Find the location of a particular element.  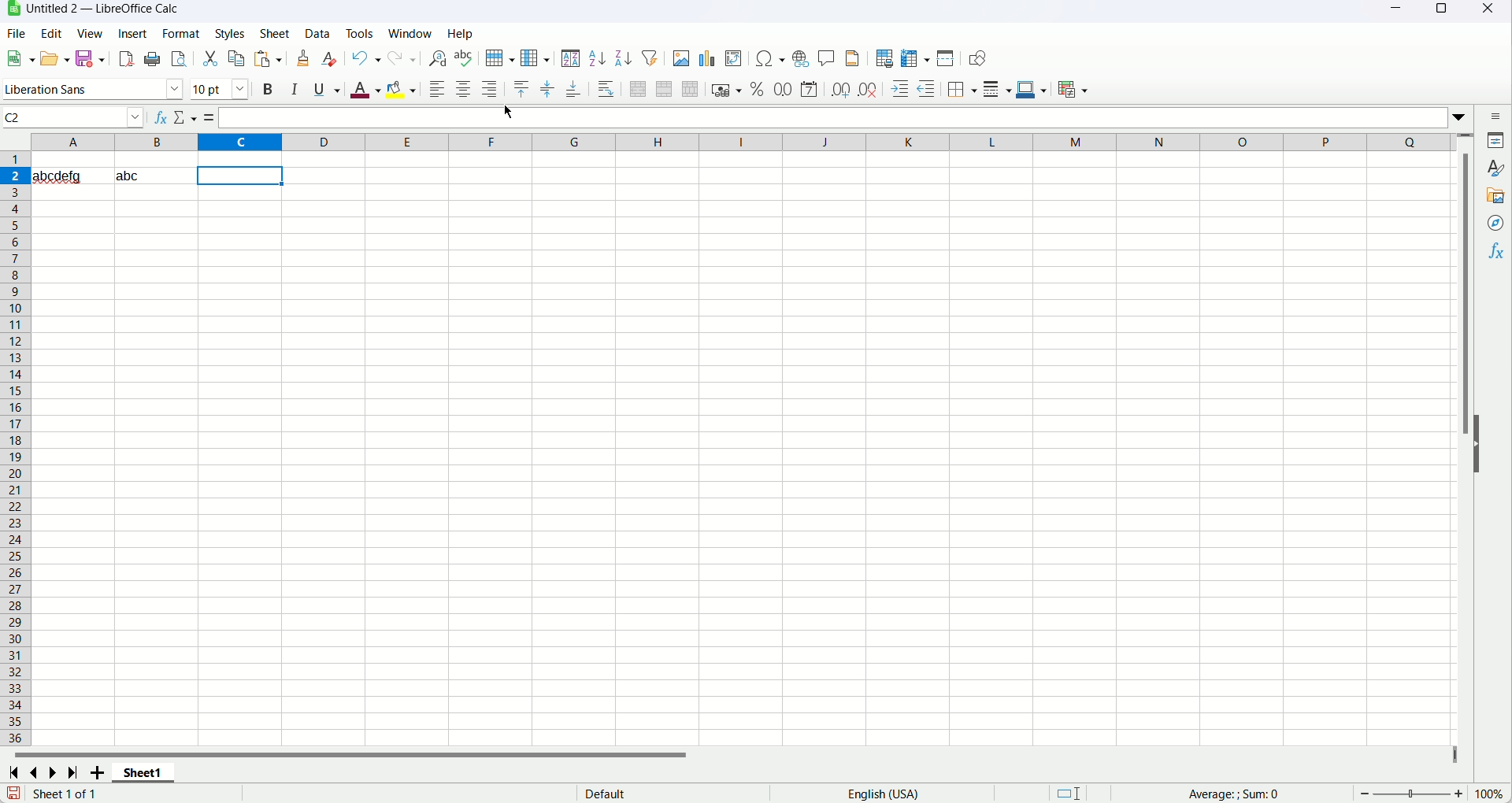

gallery is located at coordinates (1495, 197).